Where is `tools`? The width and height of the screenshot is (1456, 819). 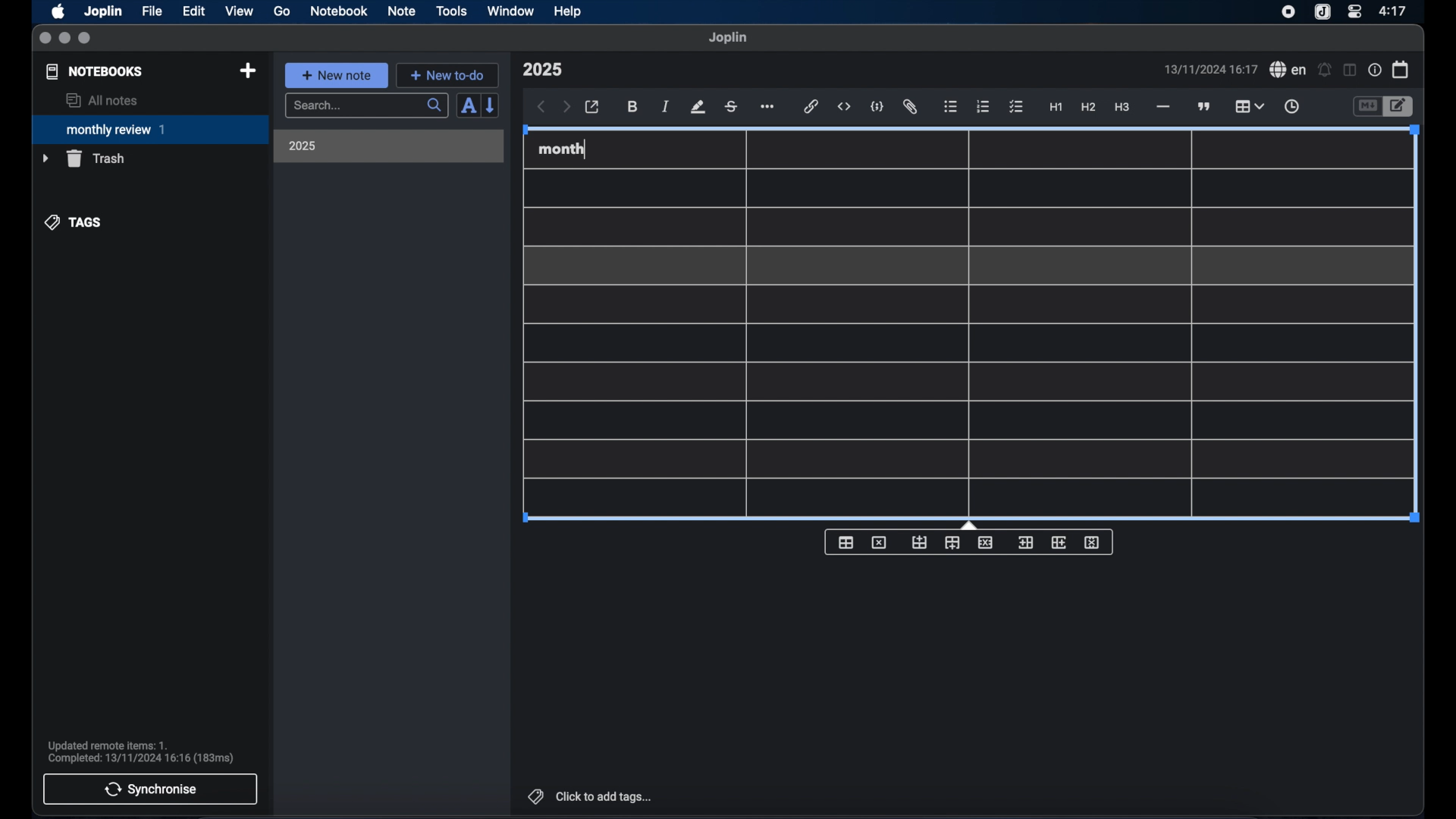
tools is located at coordinates (451, 11).